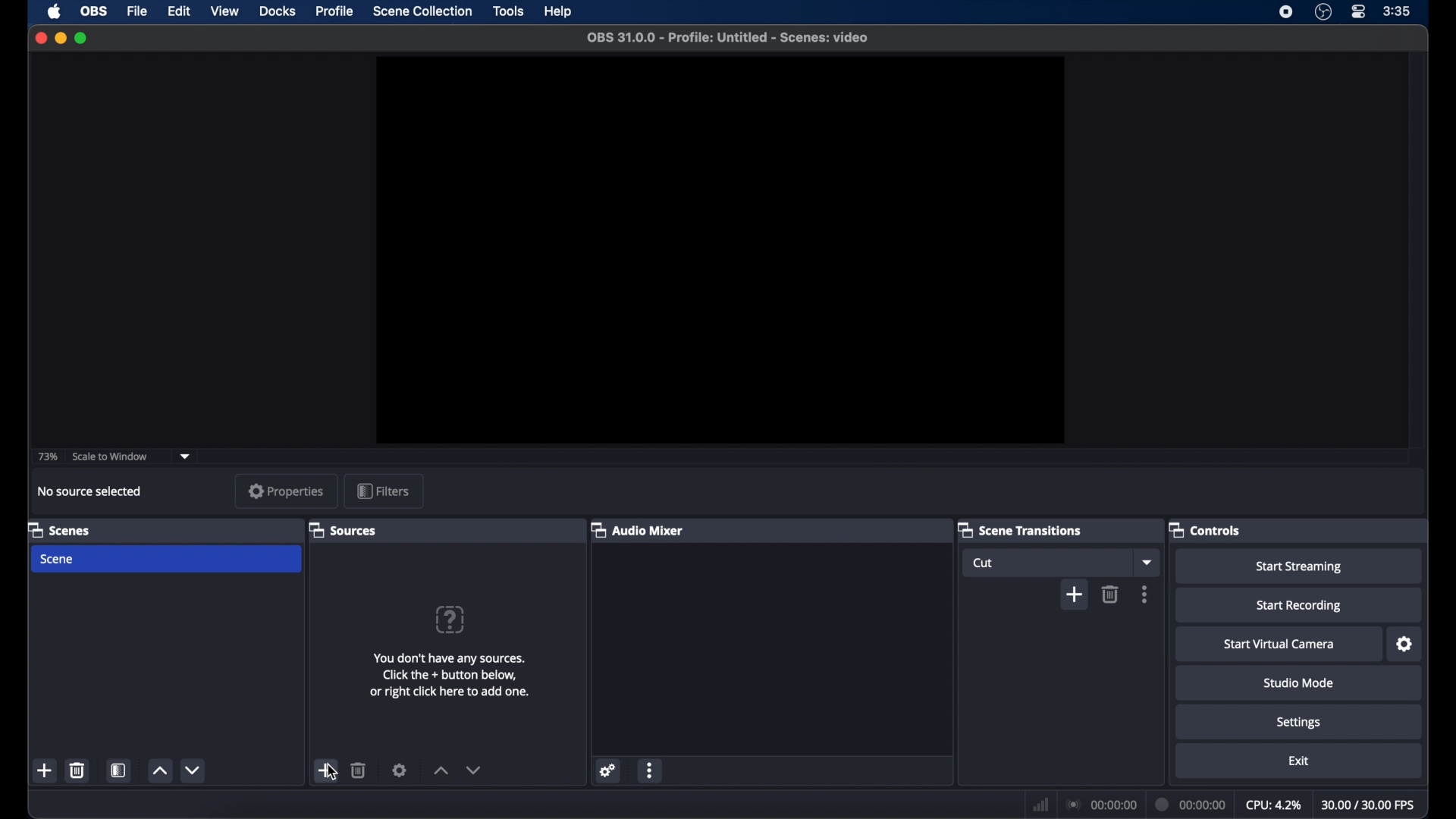 This screenshot has width=1456, height=819. What do you see at coordinates (82, 39) in the screenshot?
I see `maximize` at bounding box center [82, 39].